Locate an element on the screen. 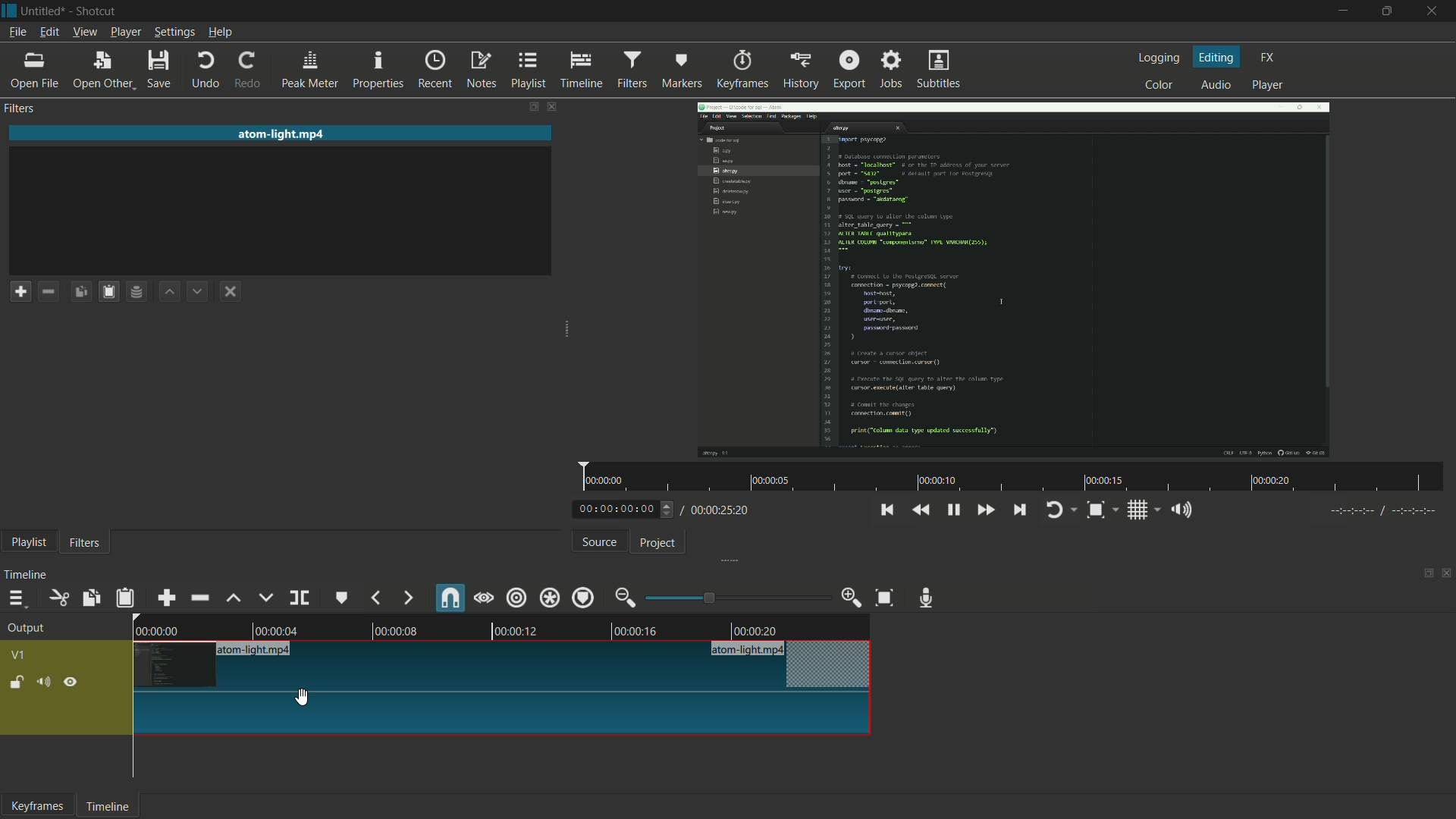 Image resolution: width=1456 pixels, height=819 pixels. change layout is located at coordinates (526, 106).